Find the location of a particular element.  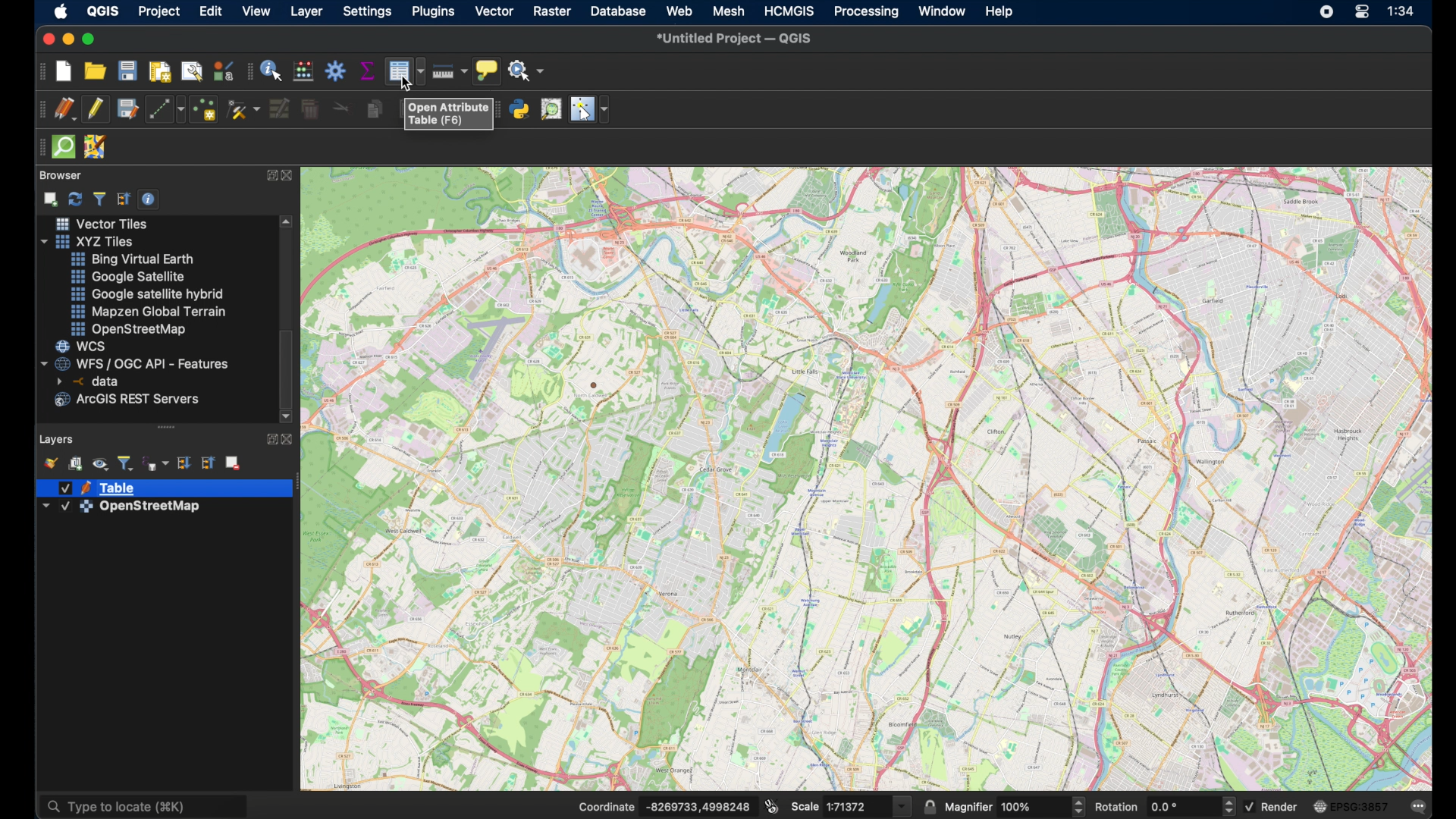

identify feature is located at coordinates (271, 72).